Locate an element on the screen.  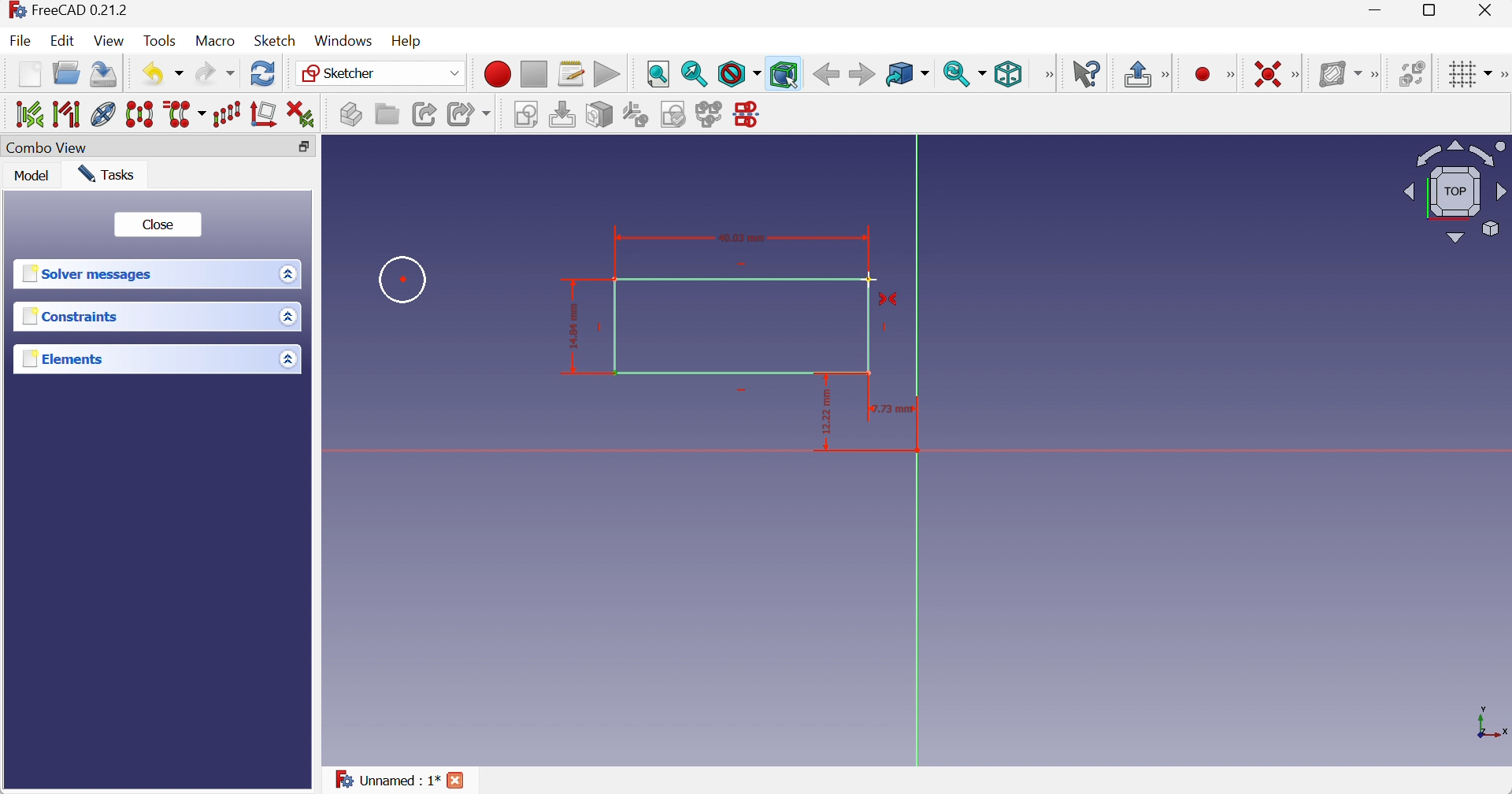
Fit selection  is located at coordinates (695, 73).